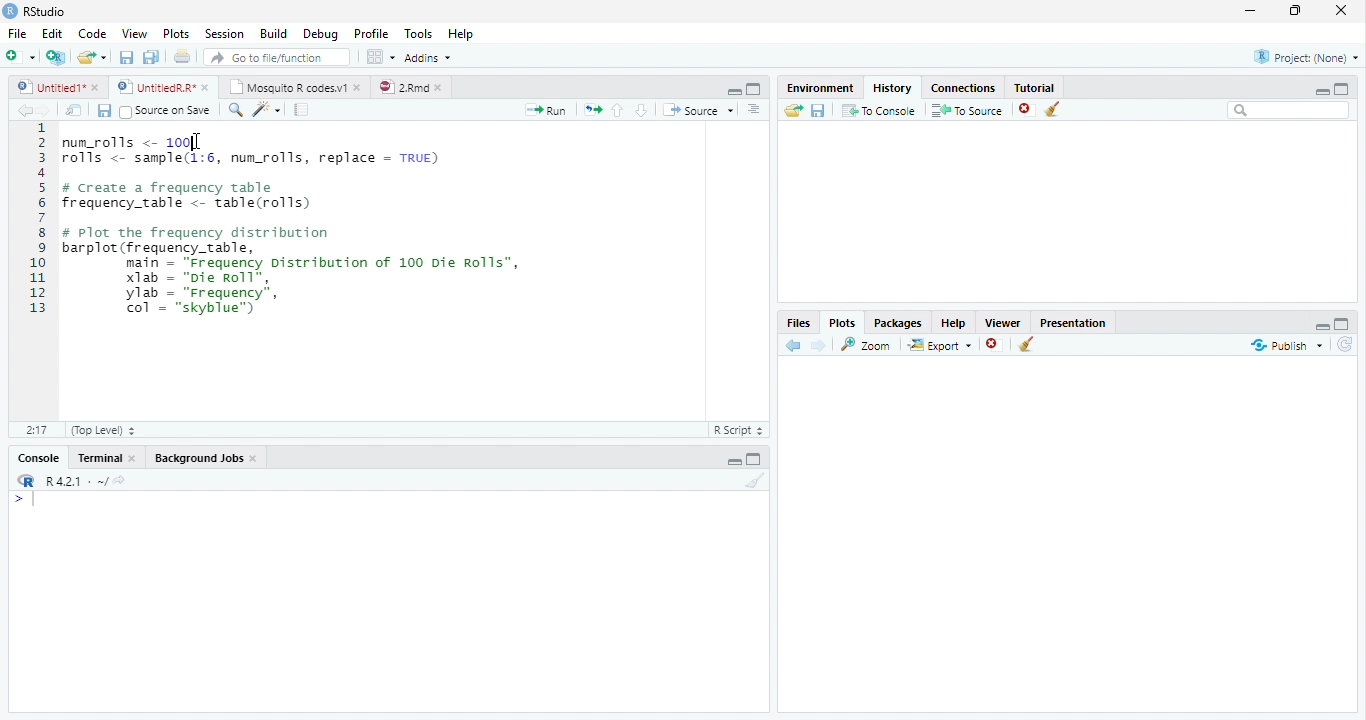 The width and height of the screenshot is (1366, 720). Describe the element at coordinates (38, 457) in the screenshot. I see `Console` at that location.